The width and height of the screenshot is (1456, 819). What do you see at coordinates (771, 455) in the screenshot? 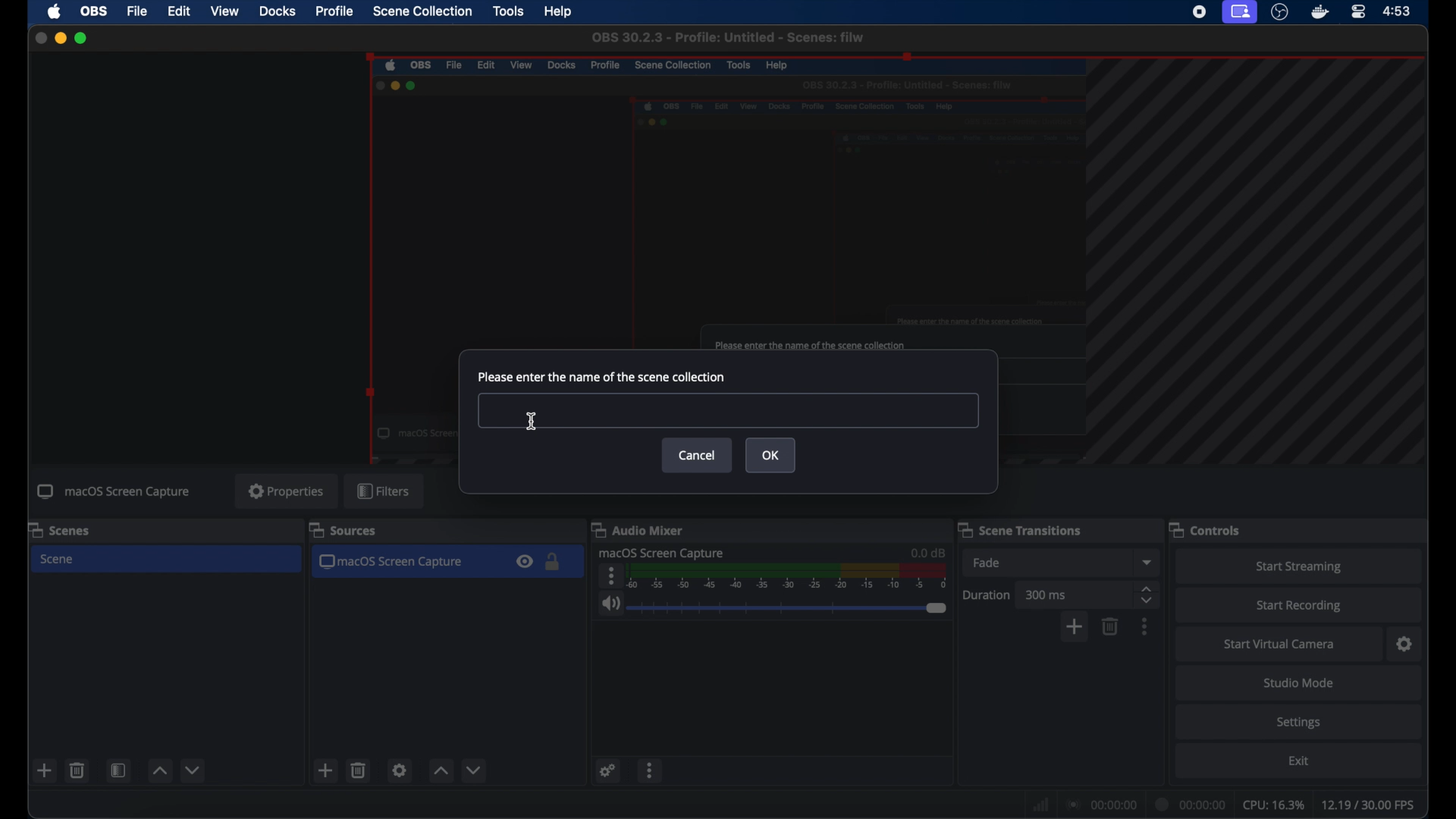
I see `ok` at bounding box center [771, 455].